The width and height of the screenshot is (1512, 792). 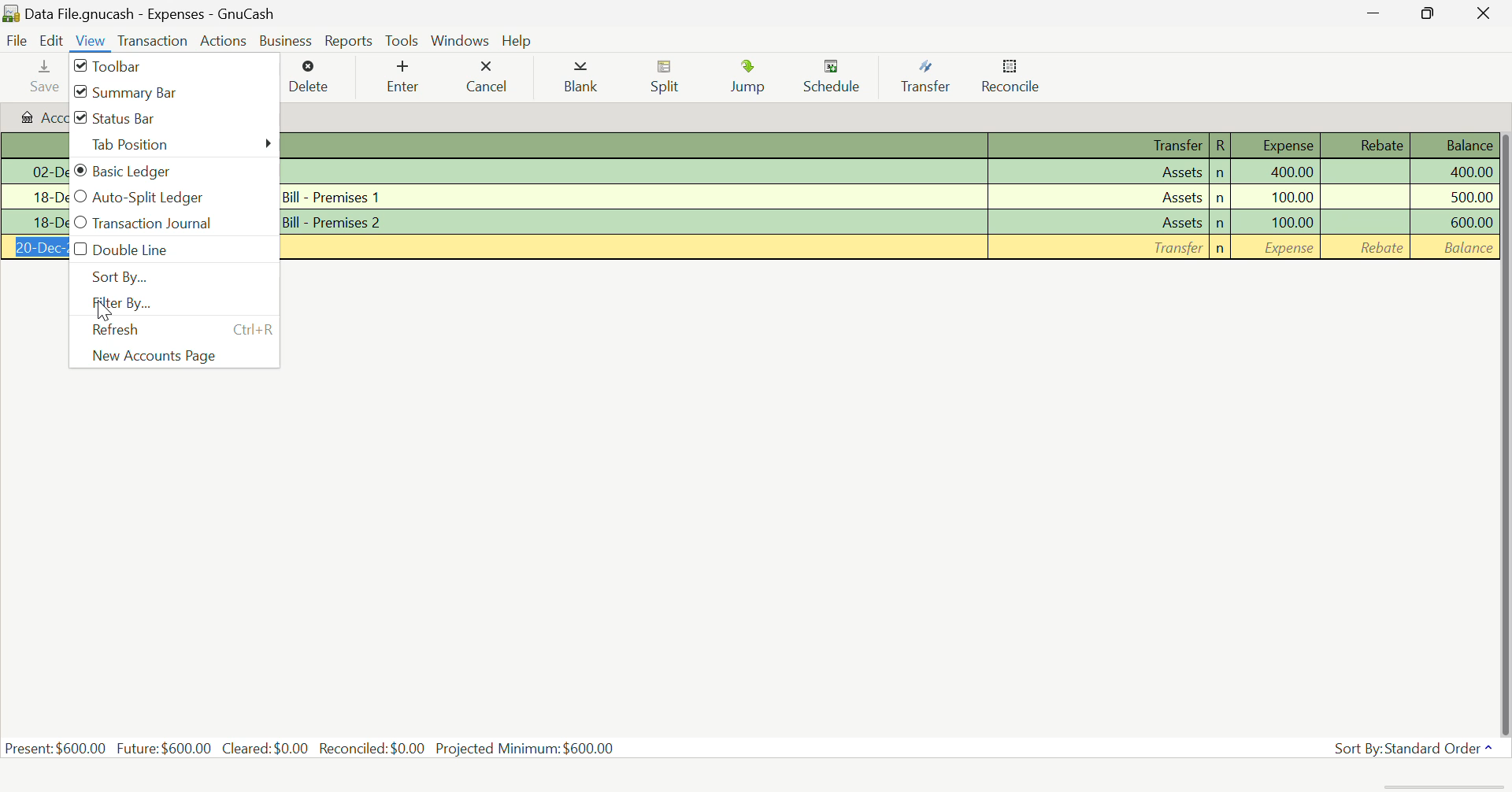 I want to click on Help, so click(x=517, y=40).